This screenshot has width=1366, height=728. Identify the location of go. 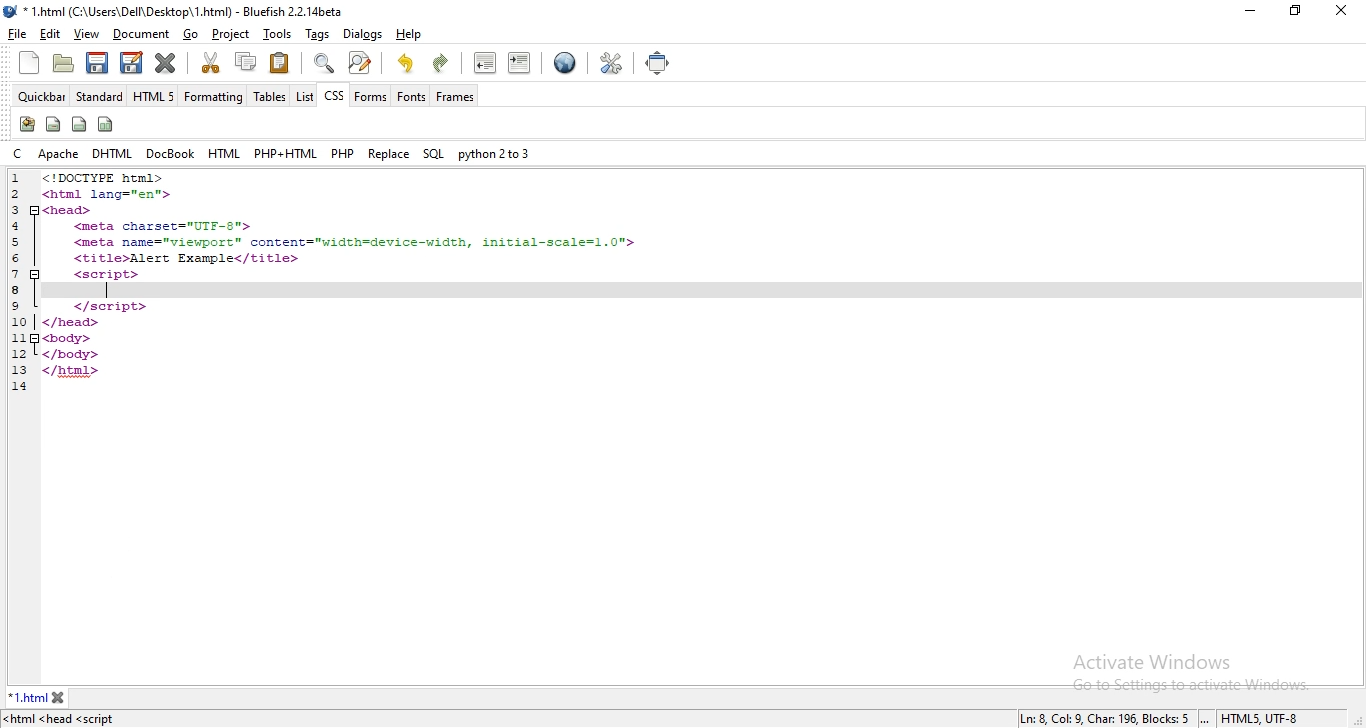
(191, 35).